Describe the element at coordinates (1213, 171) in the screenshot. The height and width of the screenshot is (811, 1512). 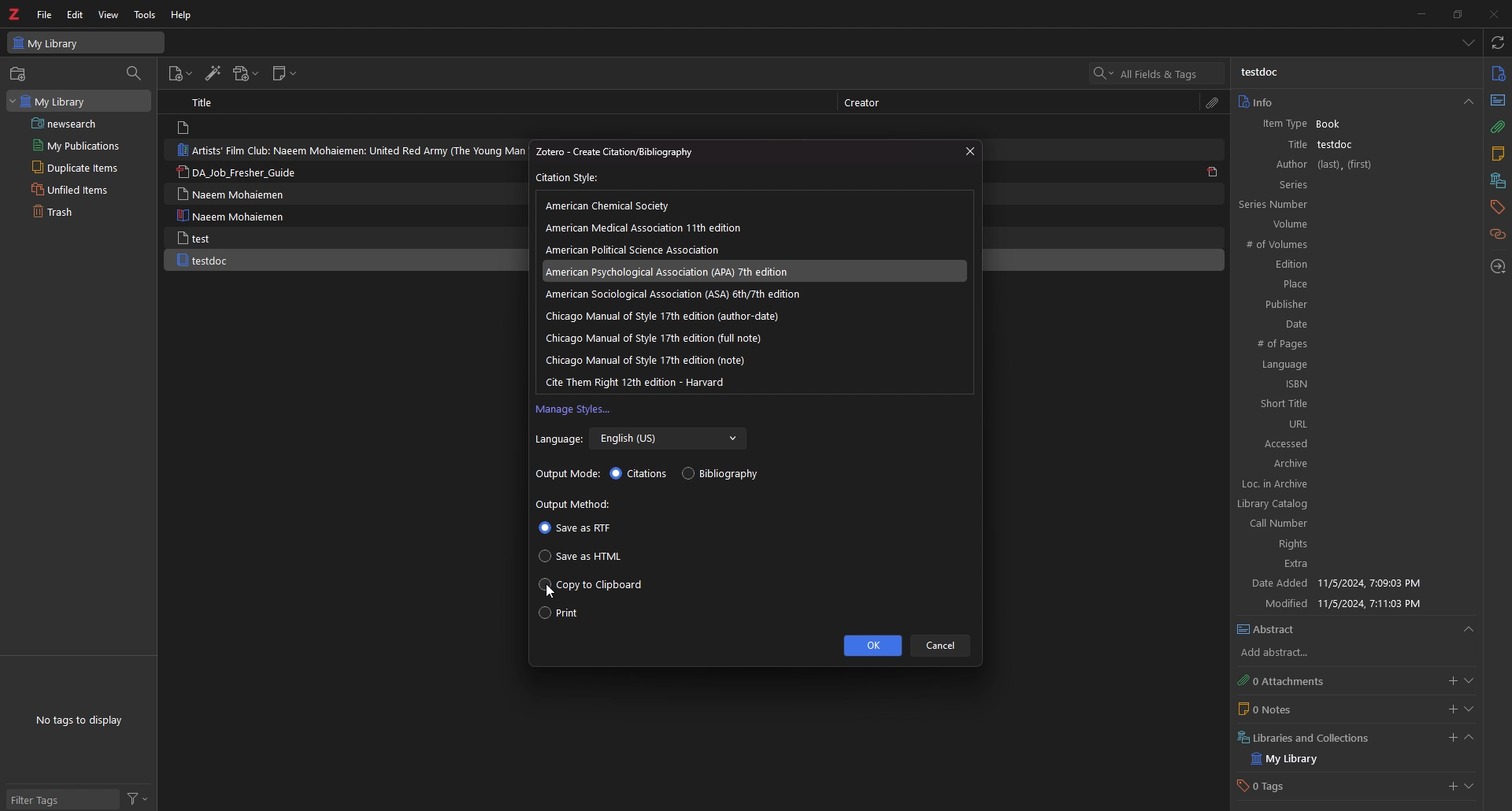
I see `pdf` at that location.